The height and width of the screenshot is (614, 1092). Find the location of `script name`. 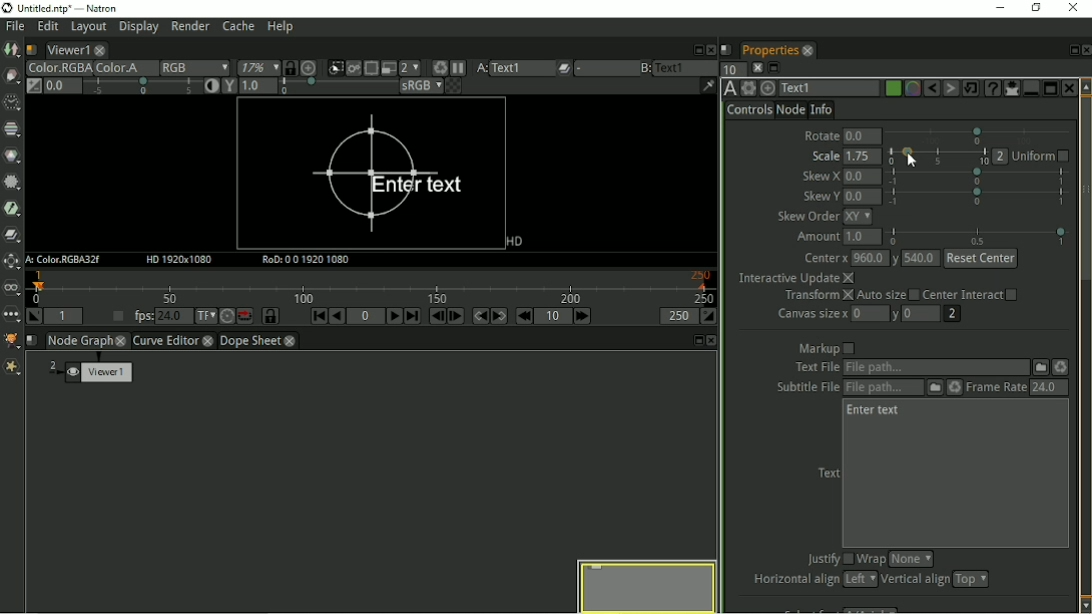

script name is located at coordinates (32, 340).